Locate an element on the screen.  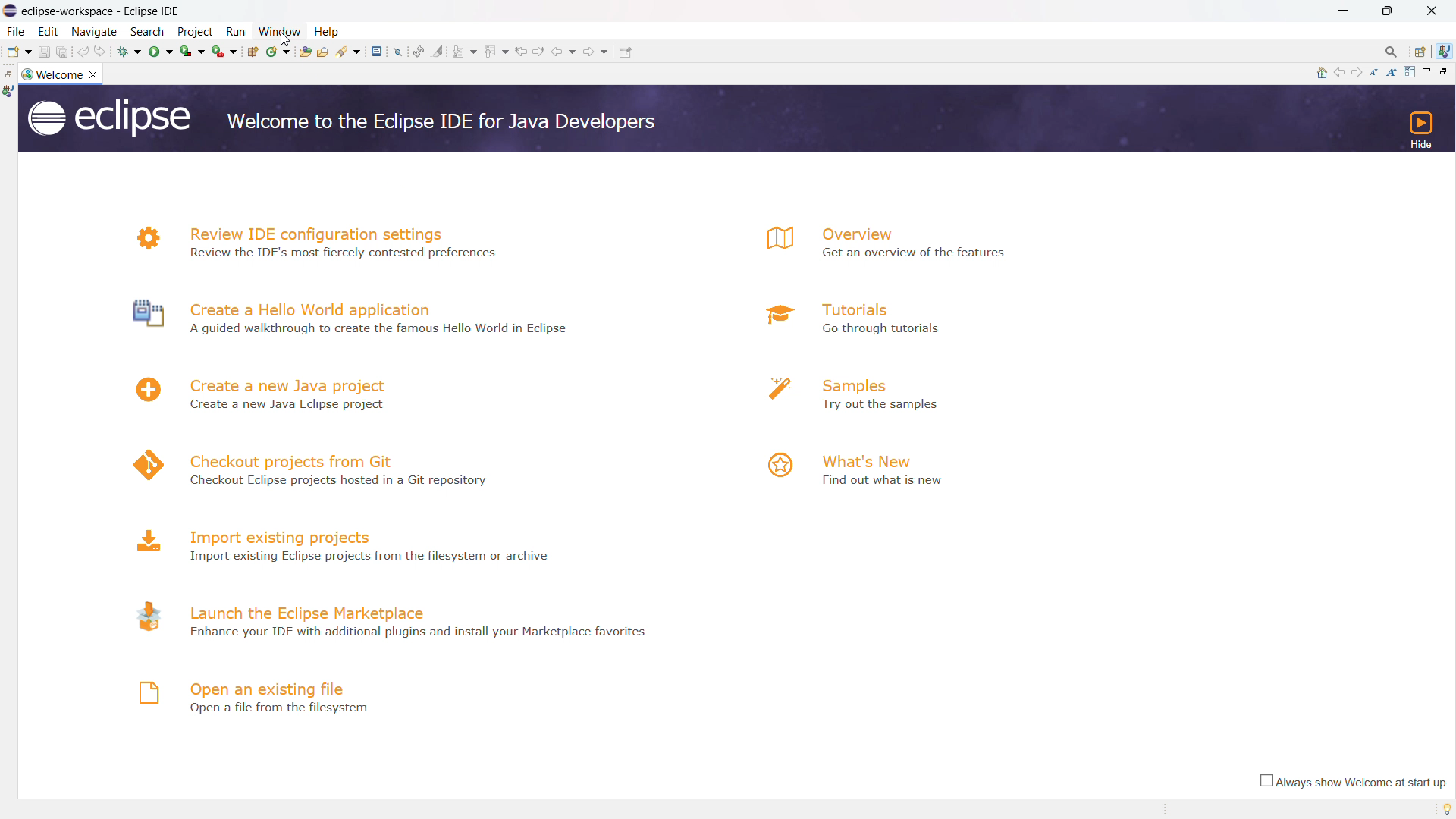
logo is located at coordinates (770, 239).